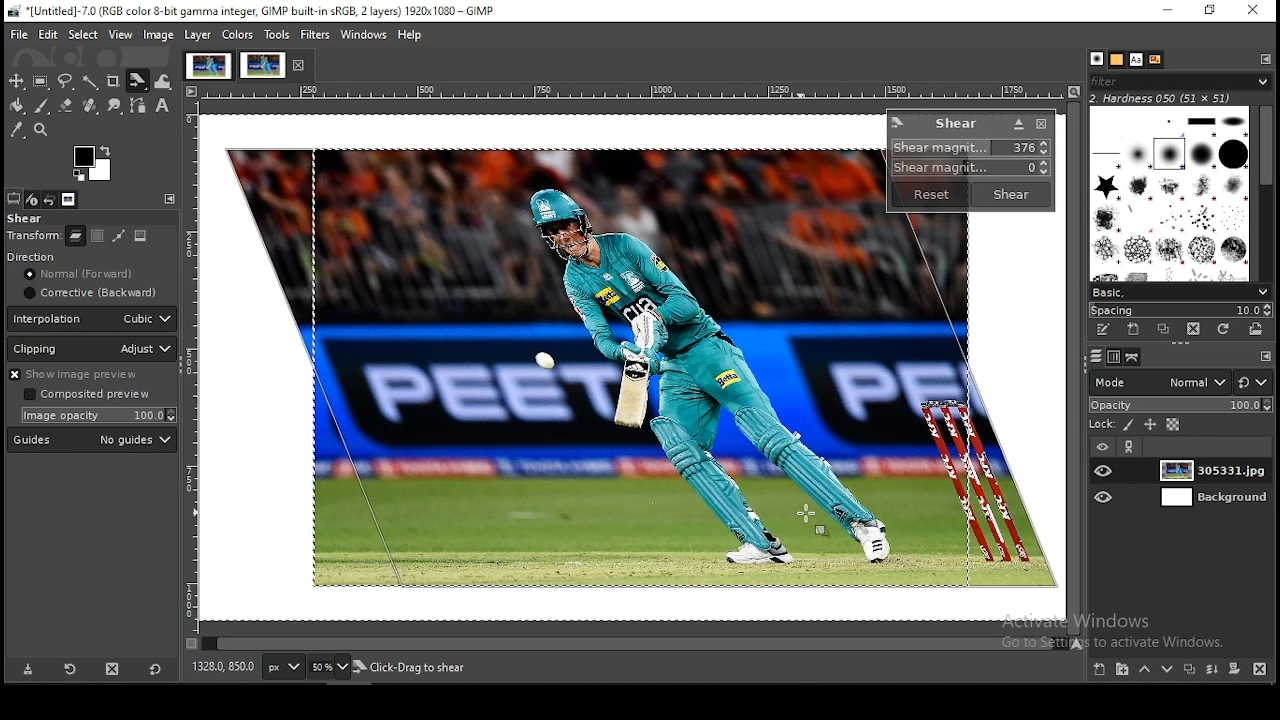 This screenshot has height=720, width=1280. I want to click on reset to default, so click(155, 670).